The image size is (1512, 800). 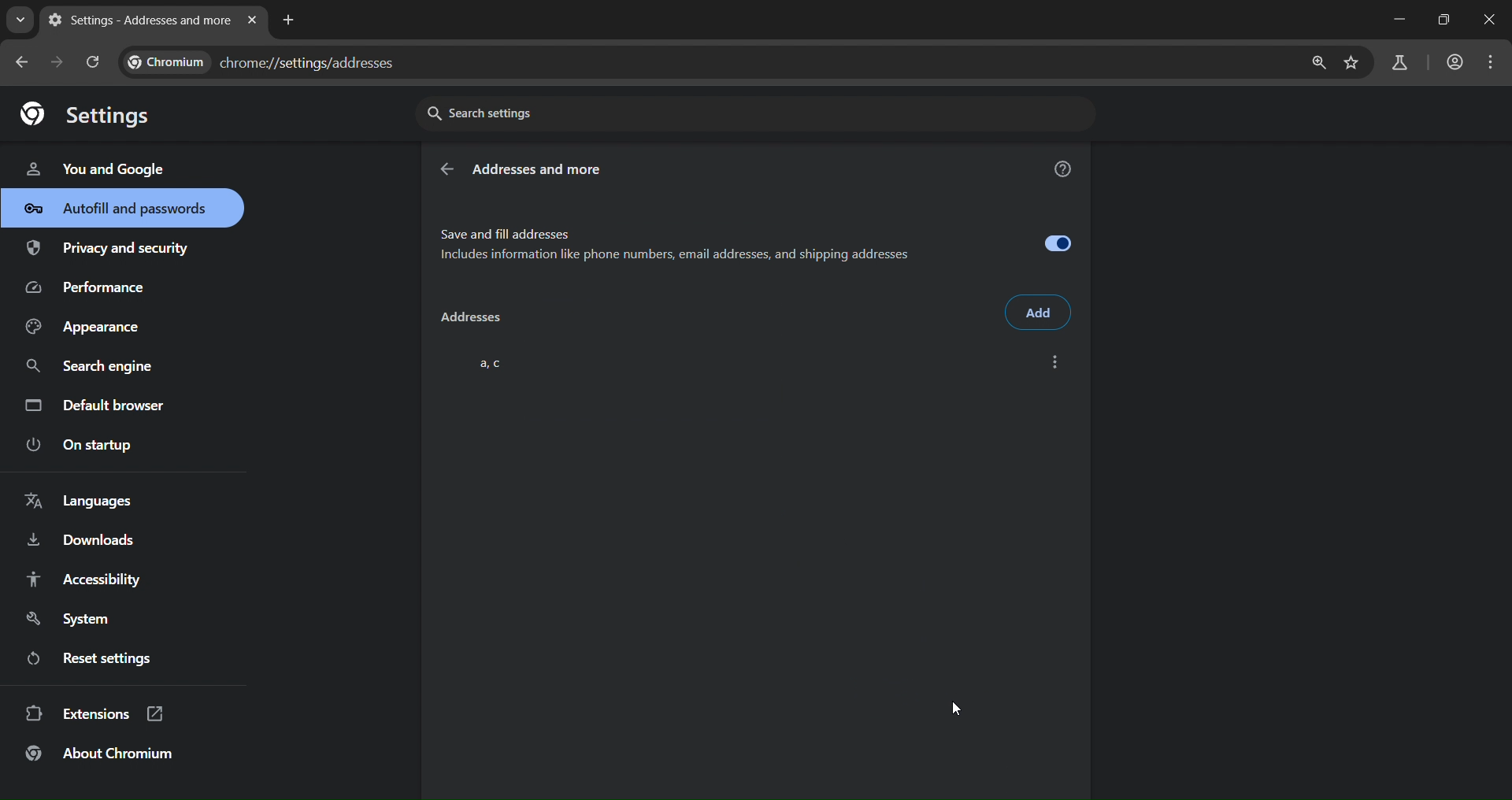 What do you see at coordinates (104, 661) in the screenshot?
I see `reset settings` at bounding box center [104, 661].